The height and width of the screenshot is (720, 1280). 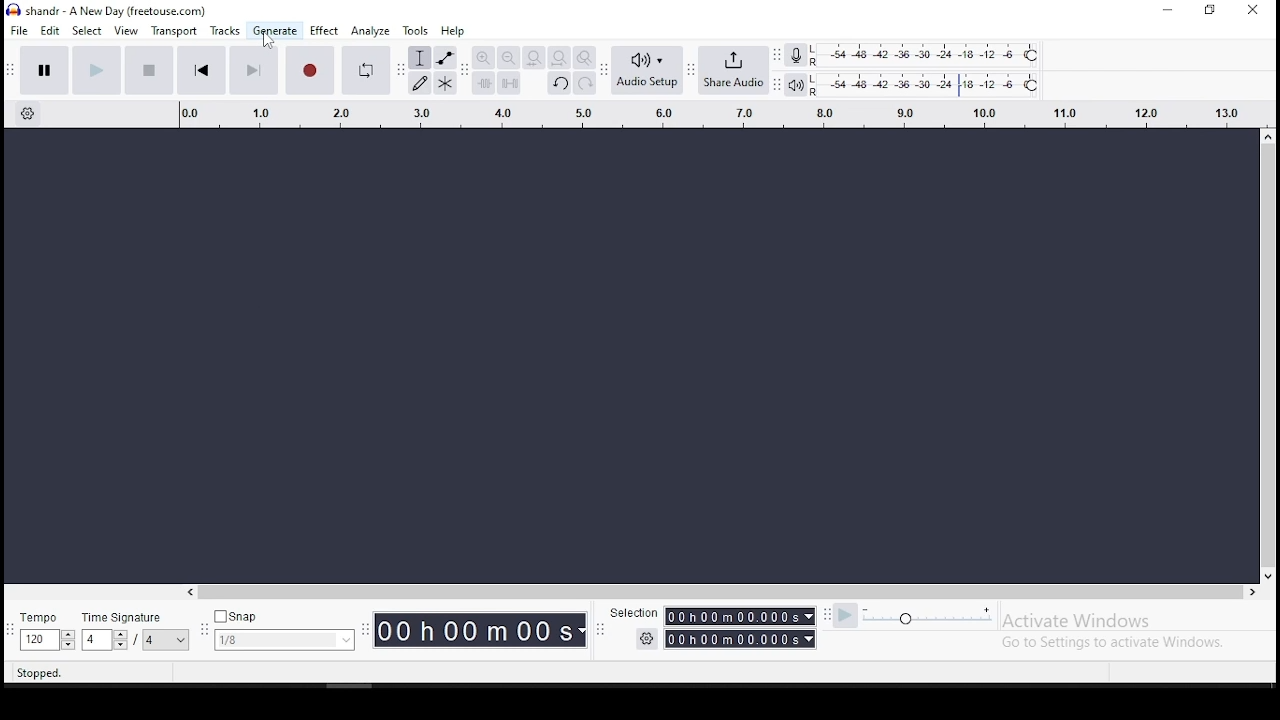 What do you see at coordinates (89, 32) in the screenshot?
I see `select` at bounding box center [89, 32].